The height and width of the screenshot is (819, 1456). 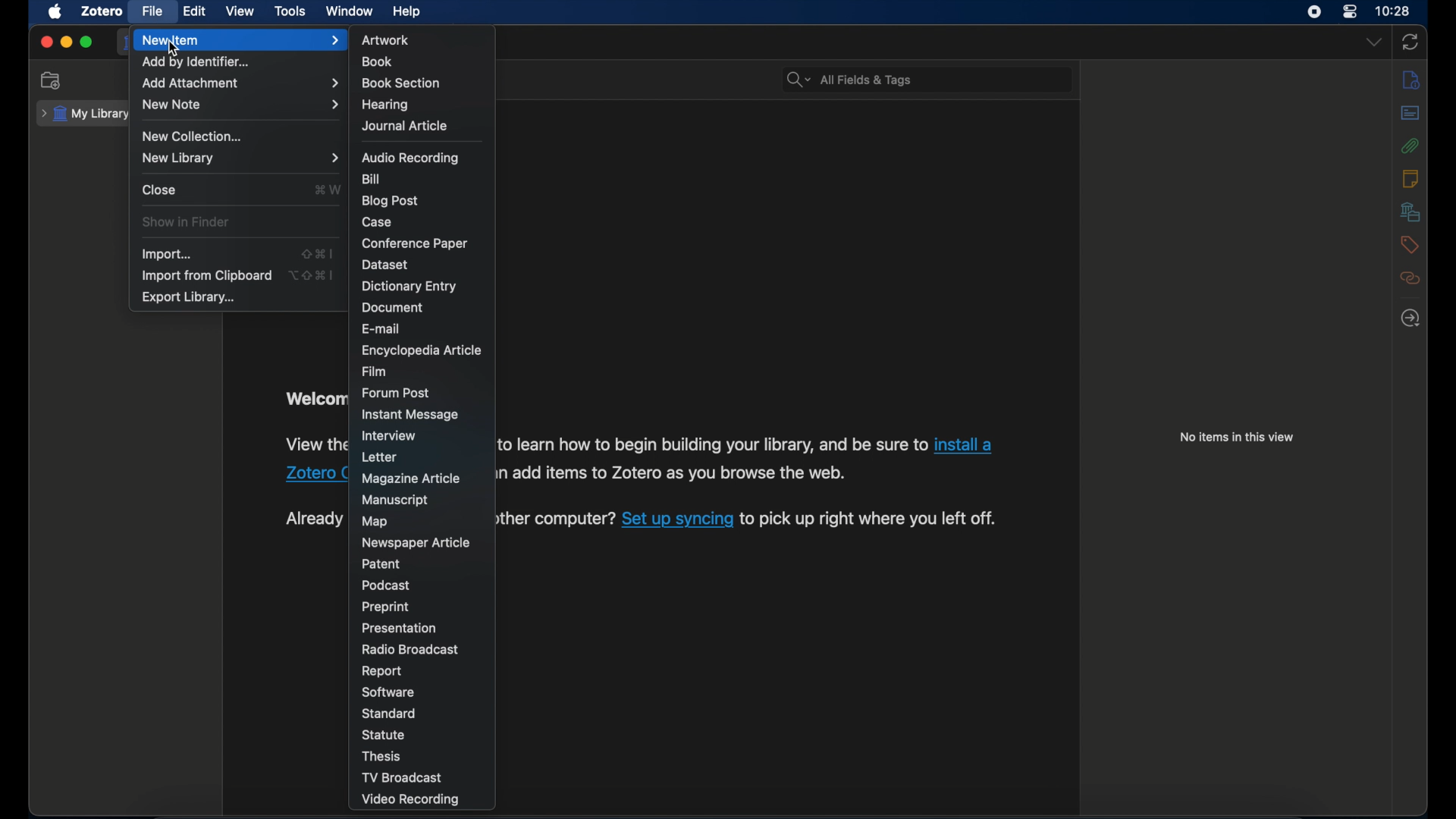 I want to click on obscure text, so click(x=315, y=398).